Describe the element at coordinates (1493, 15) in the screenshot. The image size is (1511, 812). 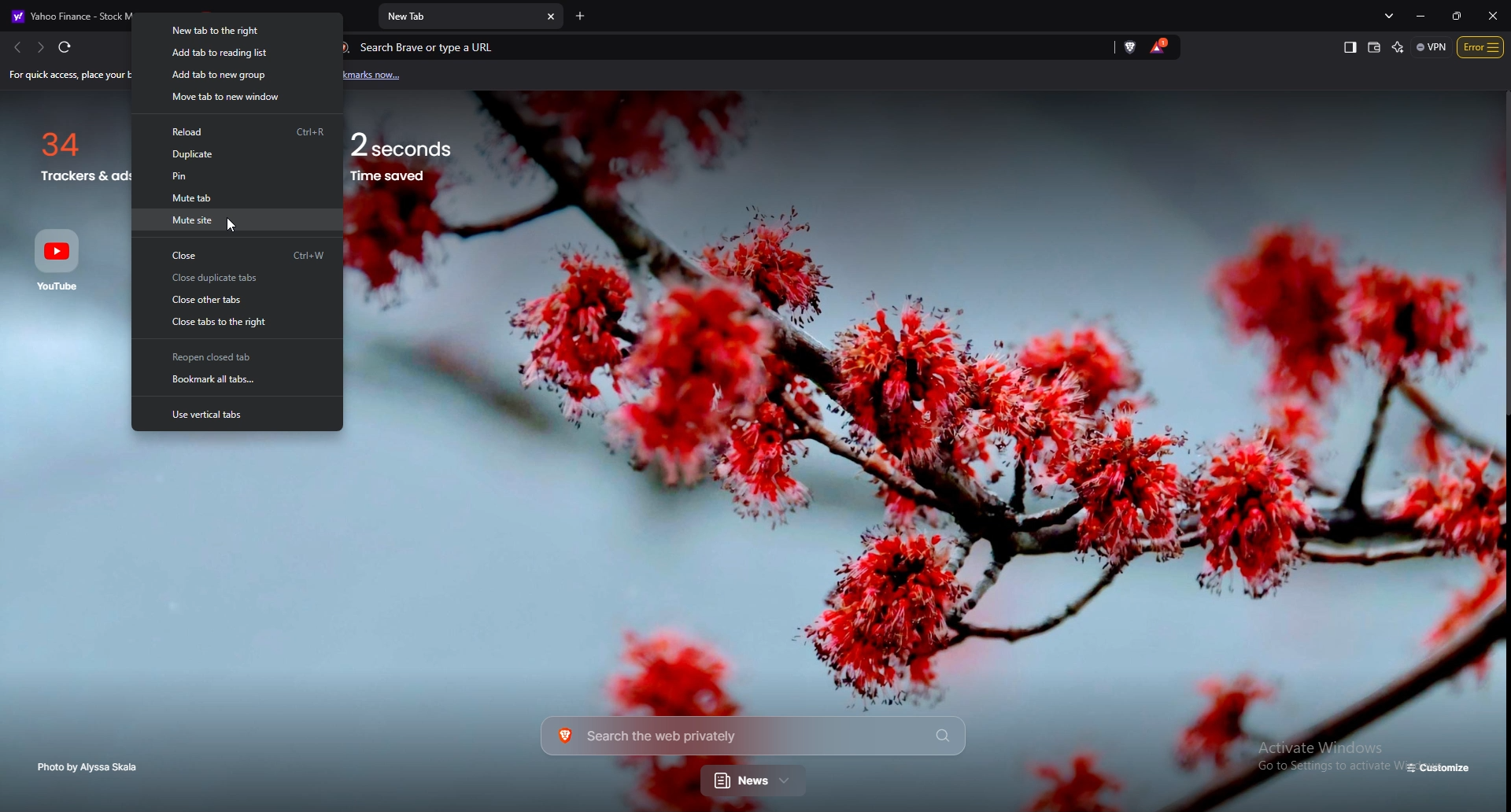
I see `close` at that location.